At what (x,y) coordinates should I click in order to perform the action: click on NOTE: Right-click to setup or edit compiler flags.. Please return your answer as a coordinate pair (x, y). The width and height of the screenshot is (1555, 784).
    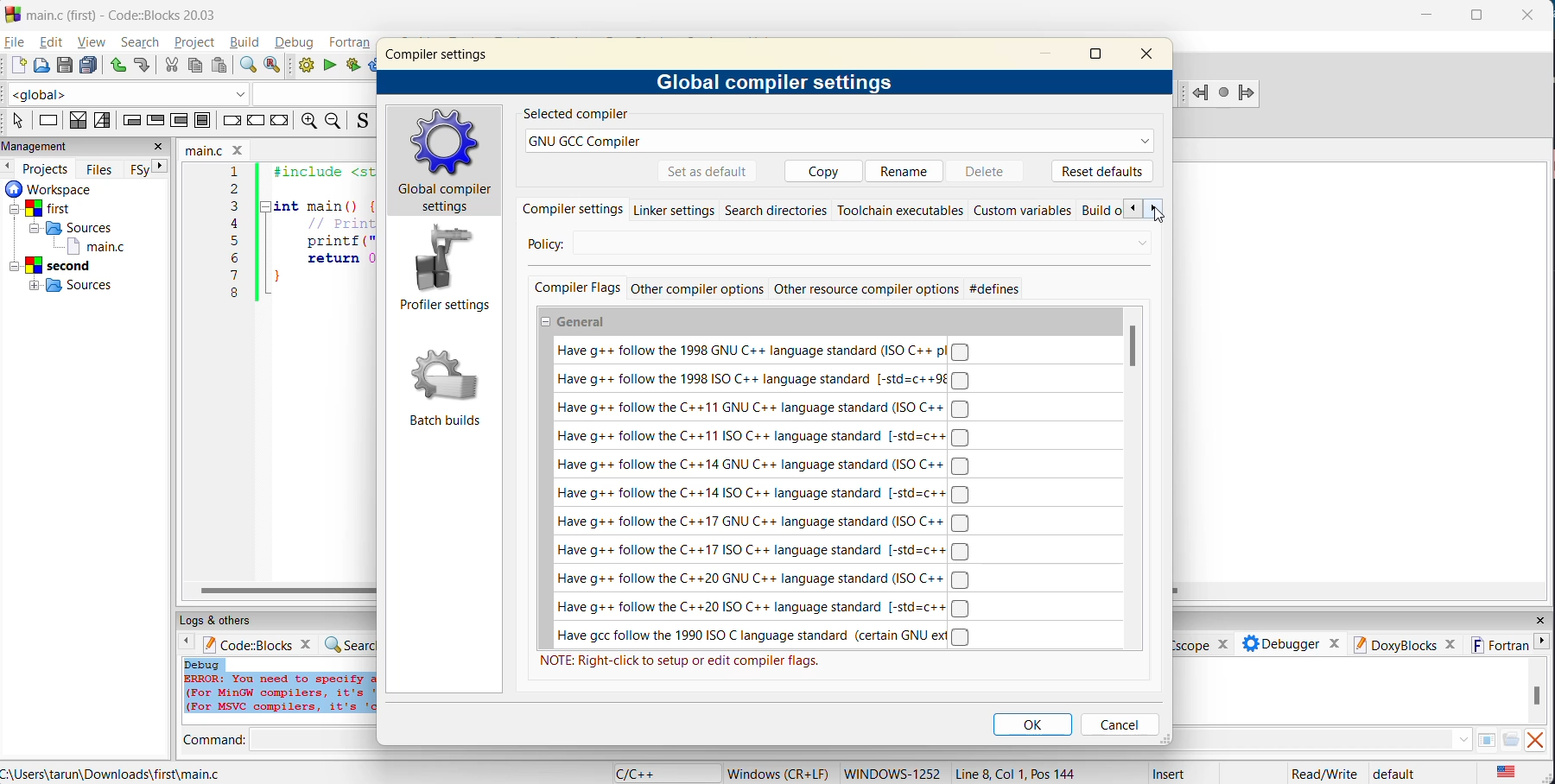
    Looking at the image, I should click on (683, 662).